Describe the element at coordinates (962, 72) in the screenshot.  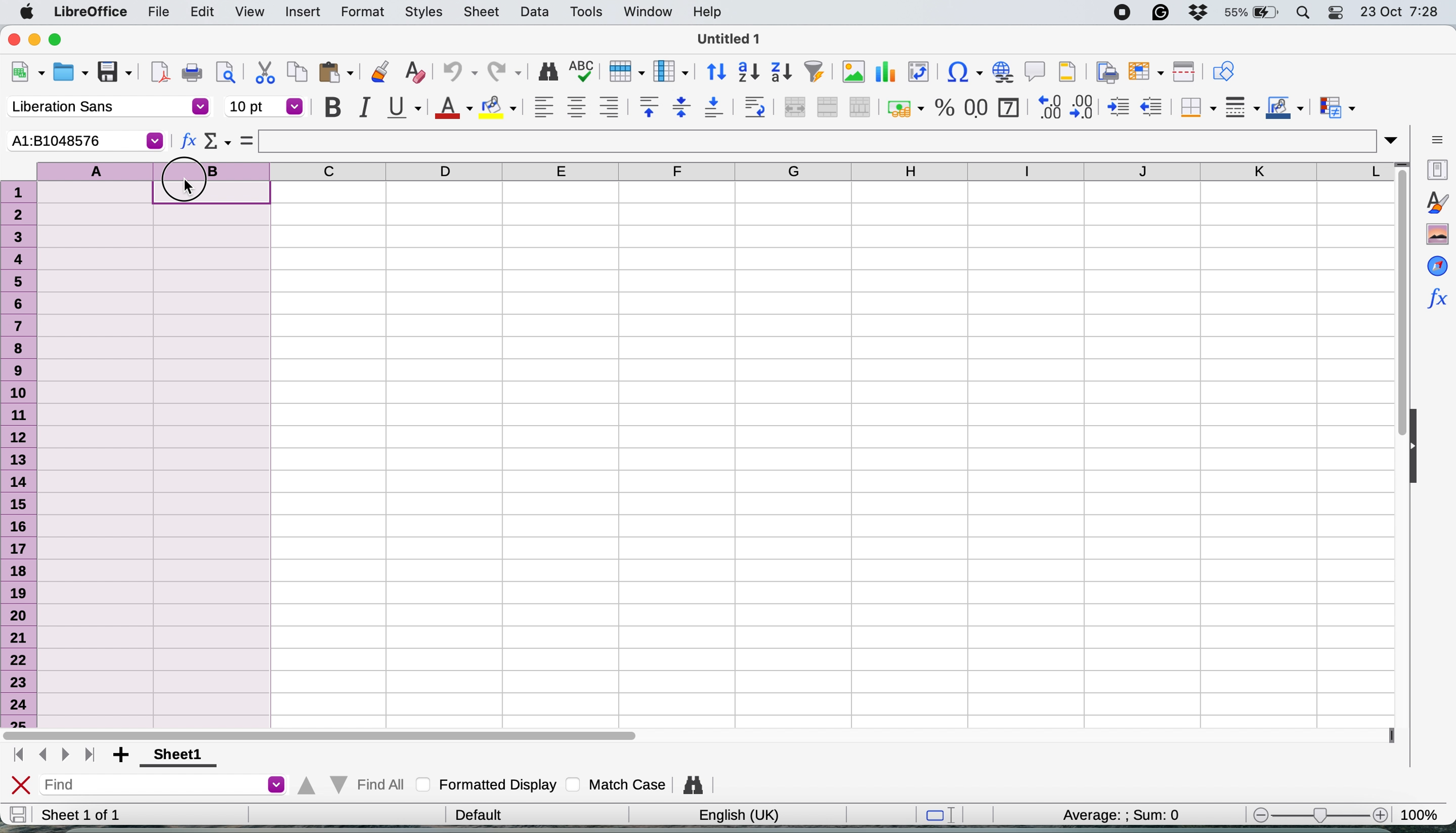
I see `insert special characters` at that location.